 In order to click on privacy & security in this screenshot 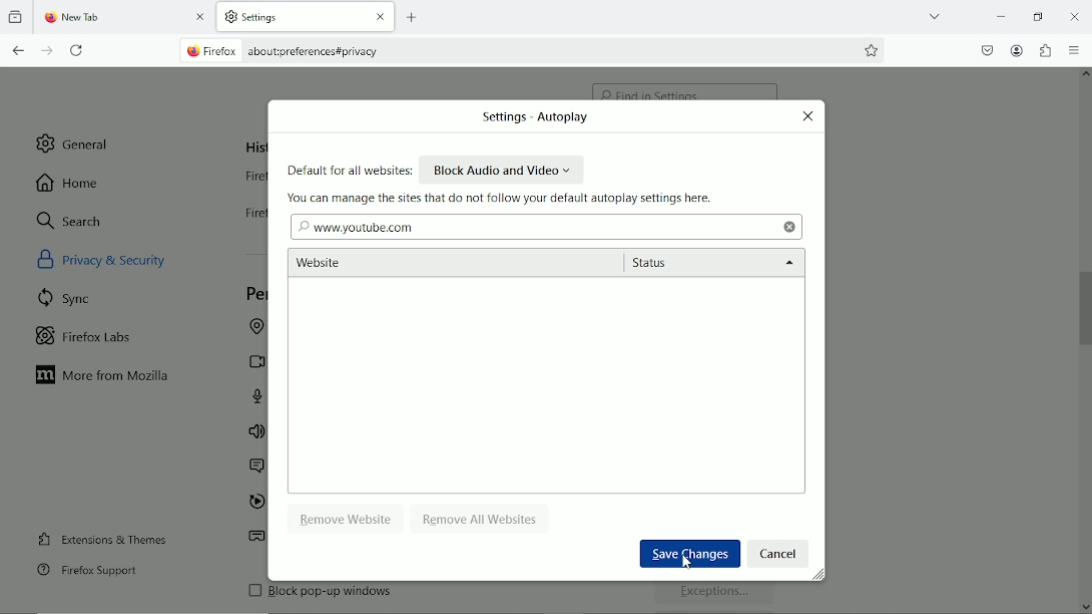, I will do `click(126, 258)`.